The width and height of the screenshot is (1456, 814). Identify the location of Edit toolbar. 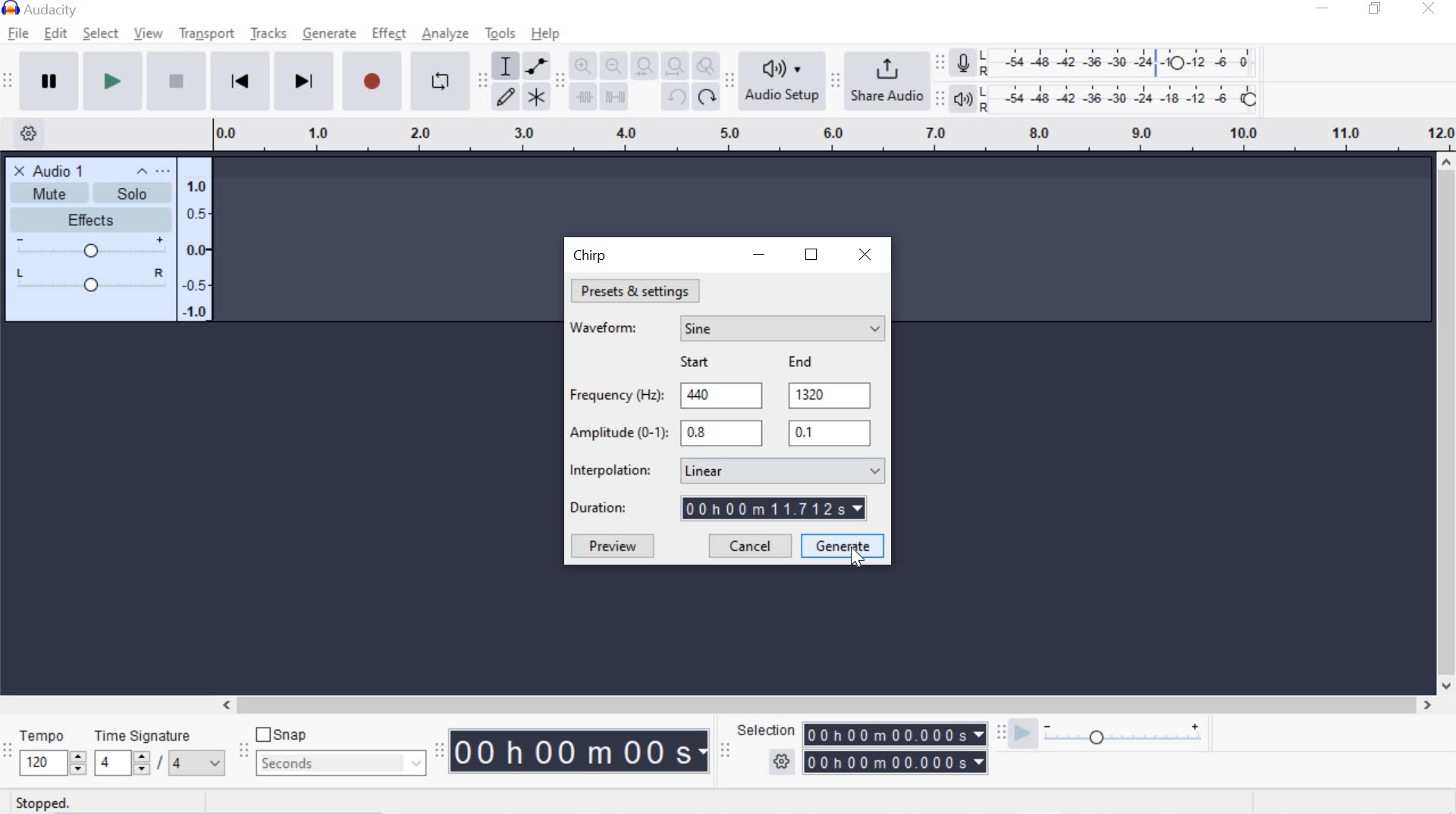
(558, 86).